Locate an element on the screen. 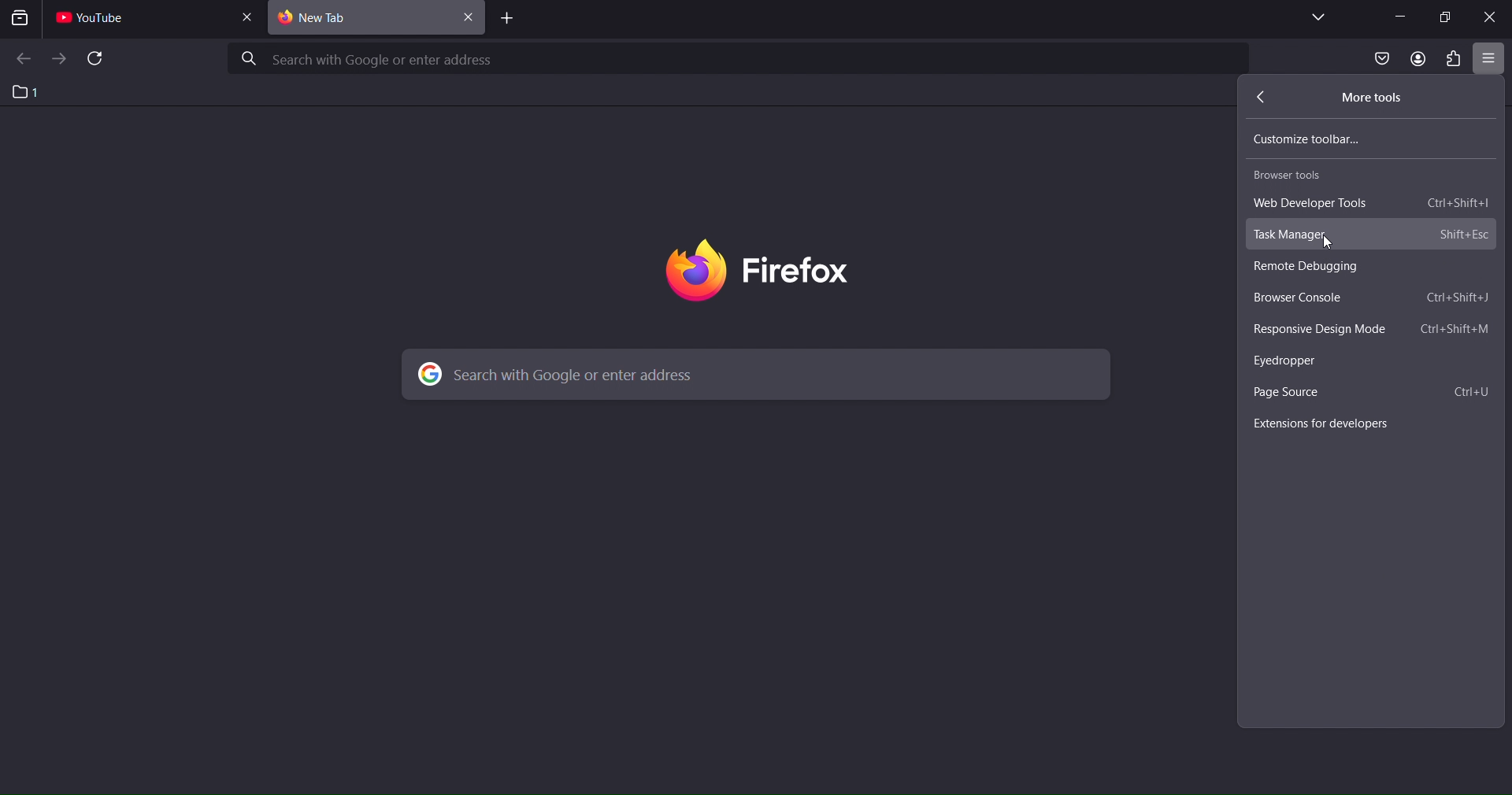 This screenshot has height=795, width=1512. Ctrl+Shift_M is located at coordinates (1455, 329).